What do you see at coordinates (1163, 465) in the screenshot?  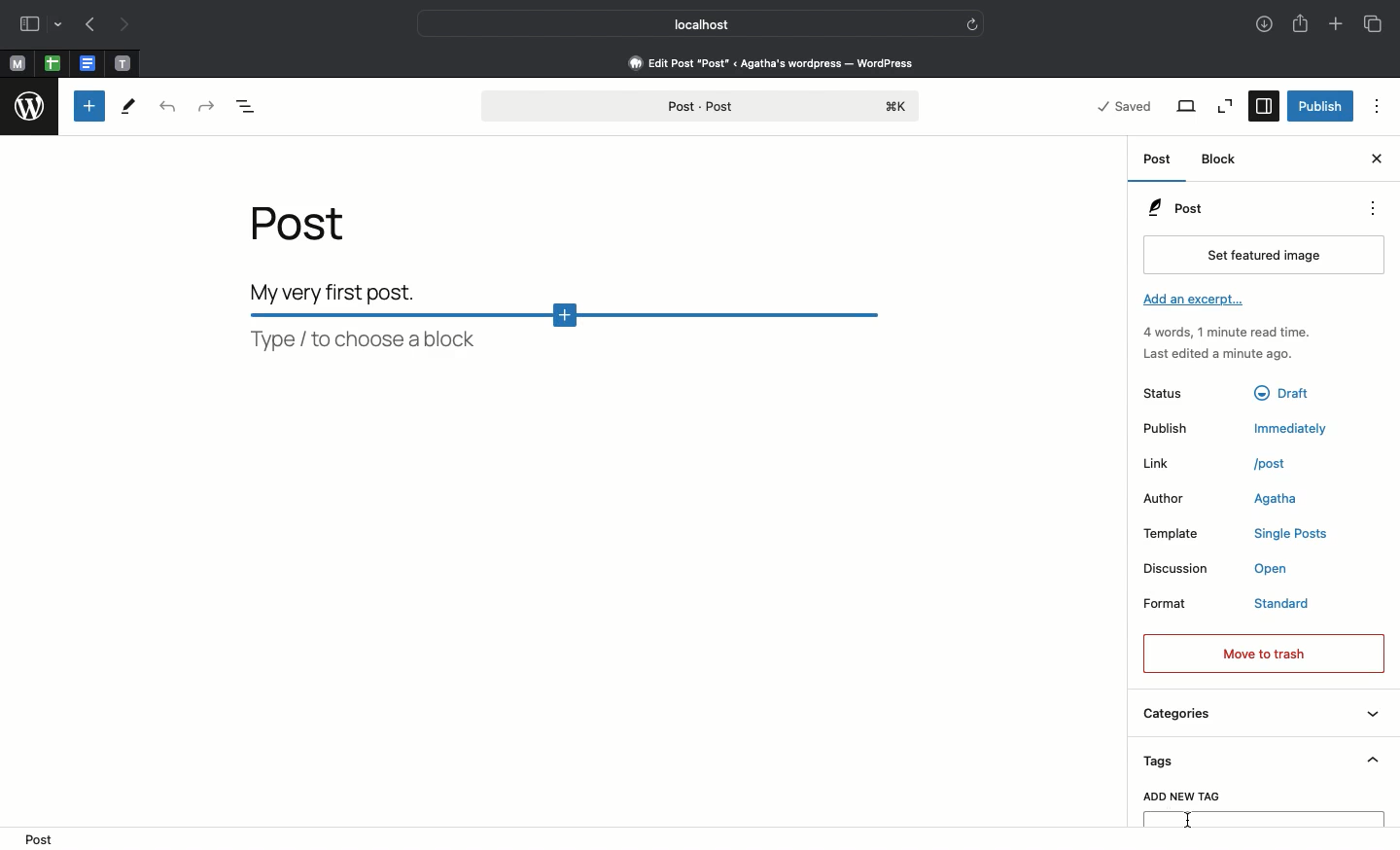 I see `Link` at bounding box center [1163, 465].